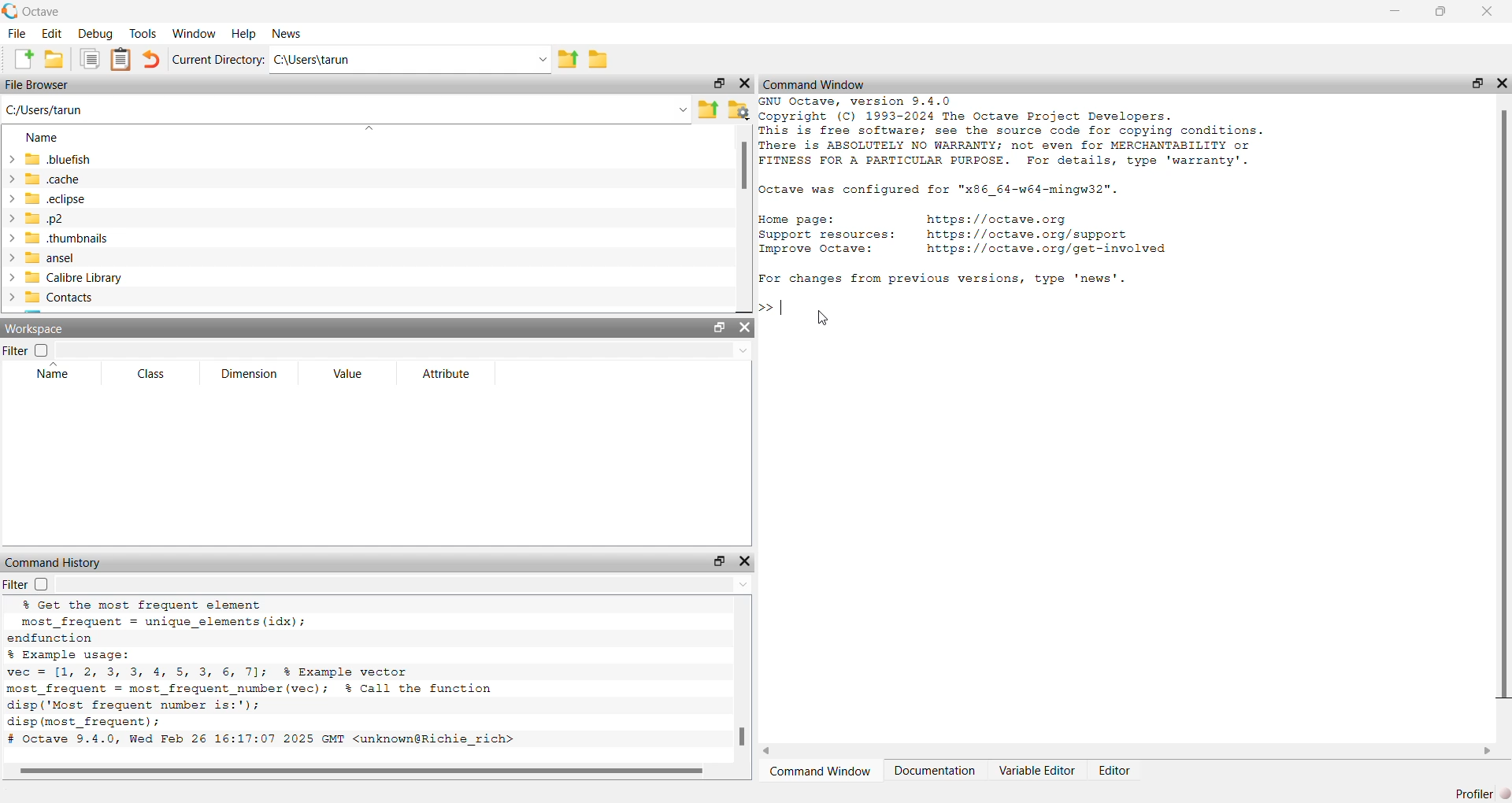 The height and width of the screenshot is (803, 1512). What do you see at coordinates (1038, 771) in the screenshot?
I see `Variable Editor` at bounding box center [1038, 771].